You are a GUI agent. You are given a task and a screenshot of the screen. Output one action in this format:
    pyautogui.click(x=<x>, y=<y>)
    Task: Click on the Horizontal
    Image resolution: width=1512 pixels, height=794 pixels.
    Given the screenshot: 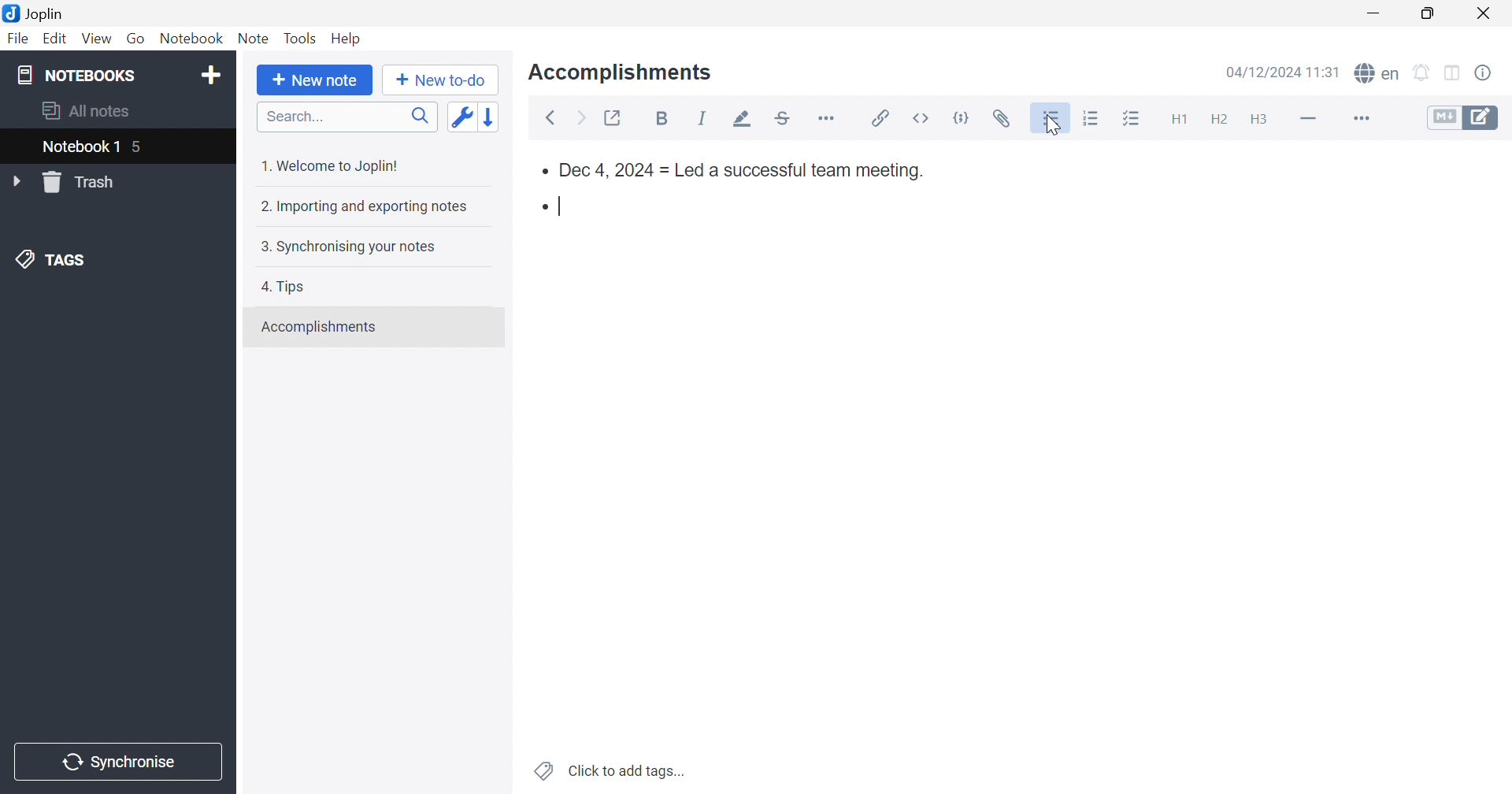 What is the action you would take?
    pyautogui.click(x=828, y=118)
    